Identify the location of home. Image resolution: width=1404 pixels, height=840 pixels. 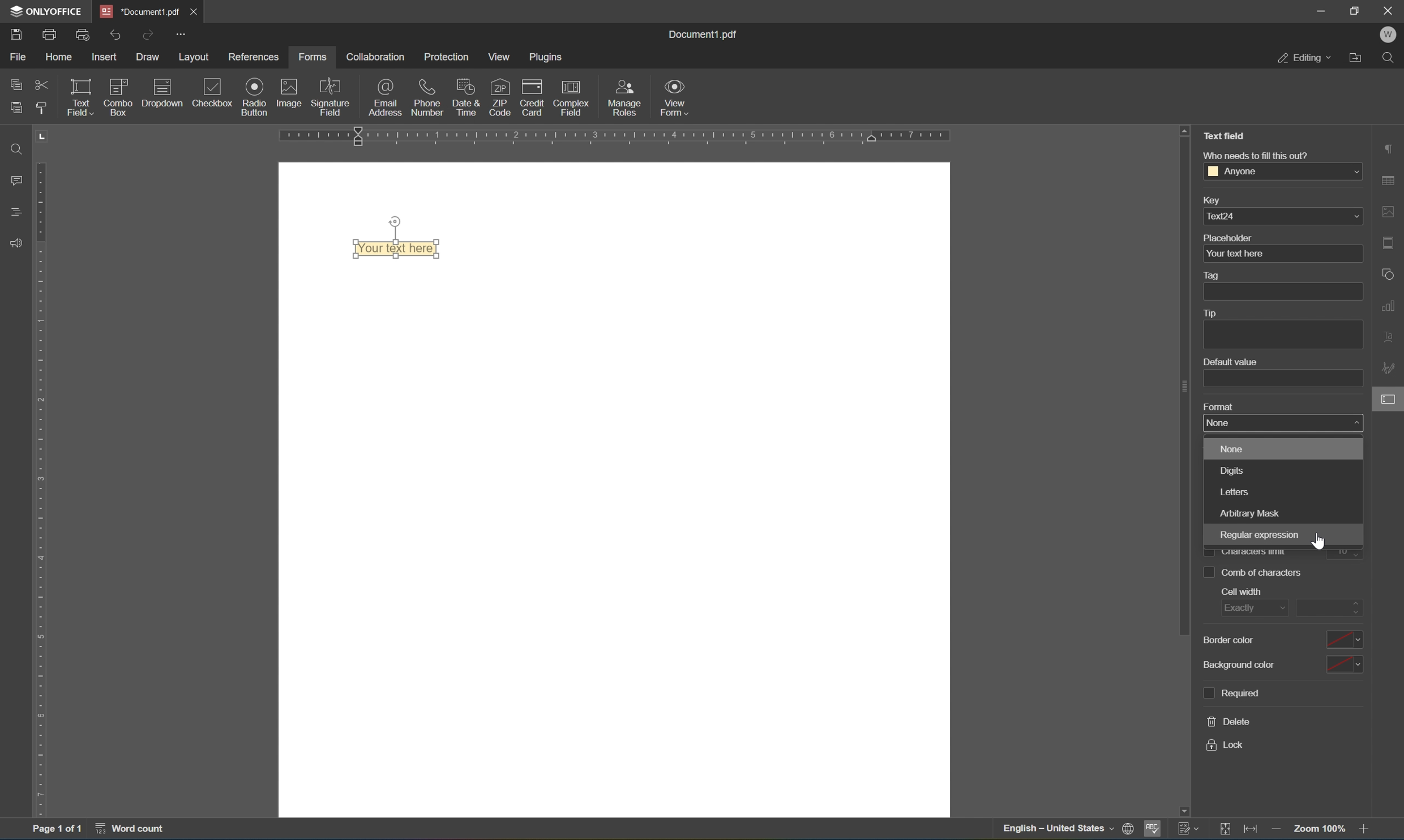
(58, 59).